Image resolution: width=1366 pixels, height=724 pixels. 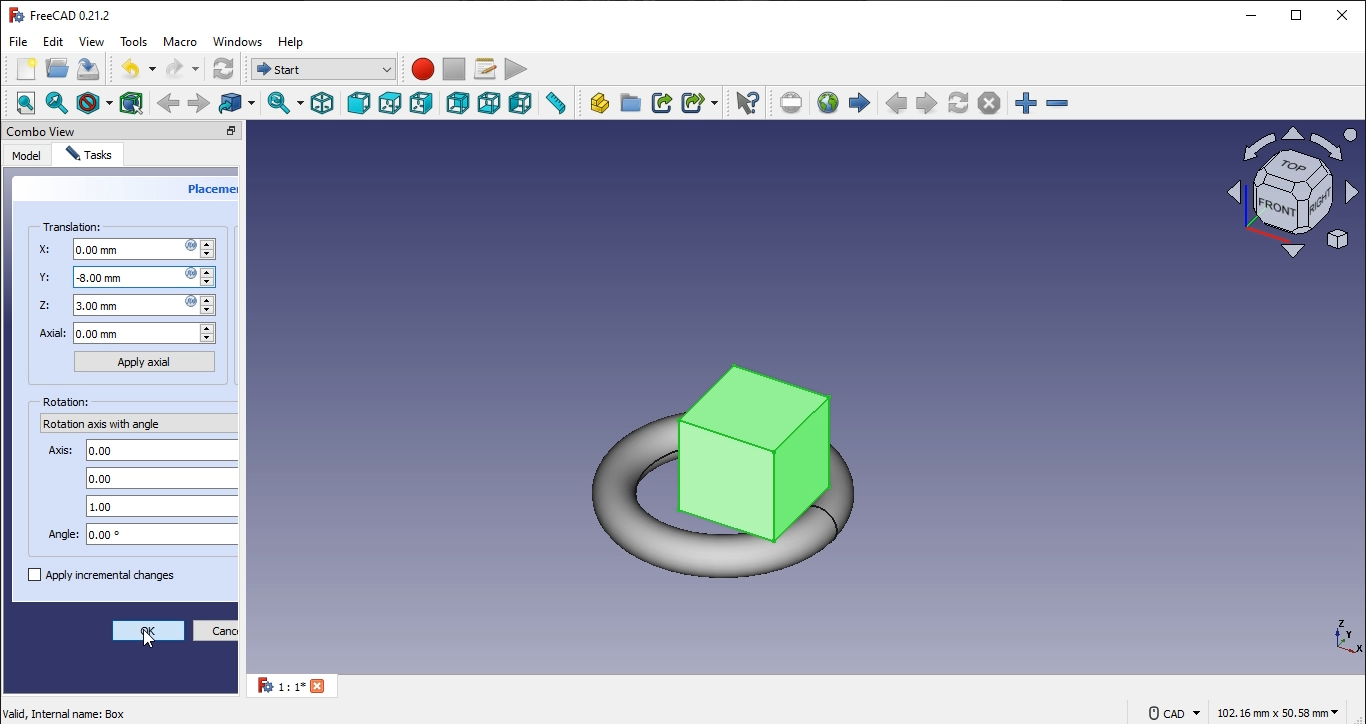 I want to click on new file, so click(x=28, y=69).